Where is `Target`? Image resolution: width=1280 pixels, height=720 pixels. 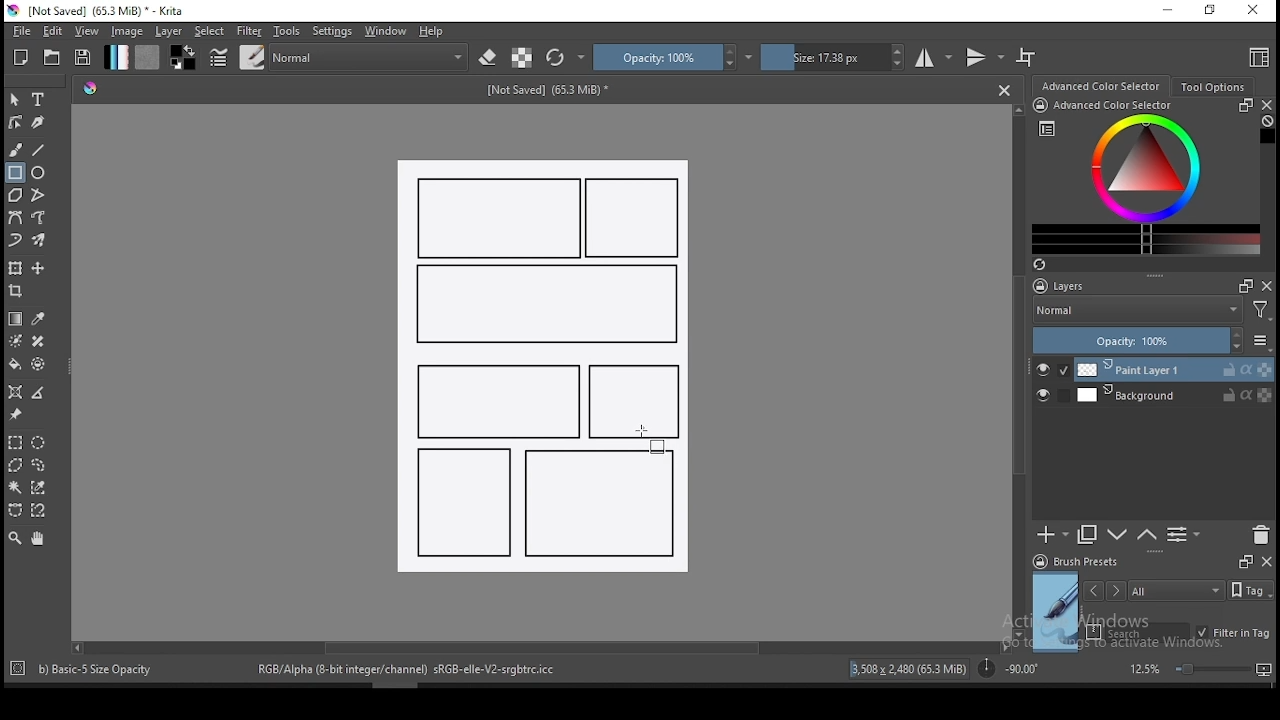 Target is located at coordinates (19, 669).